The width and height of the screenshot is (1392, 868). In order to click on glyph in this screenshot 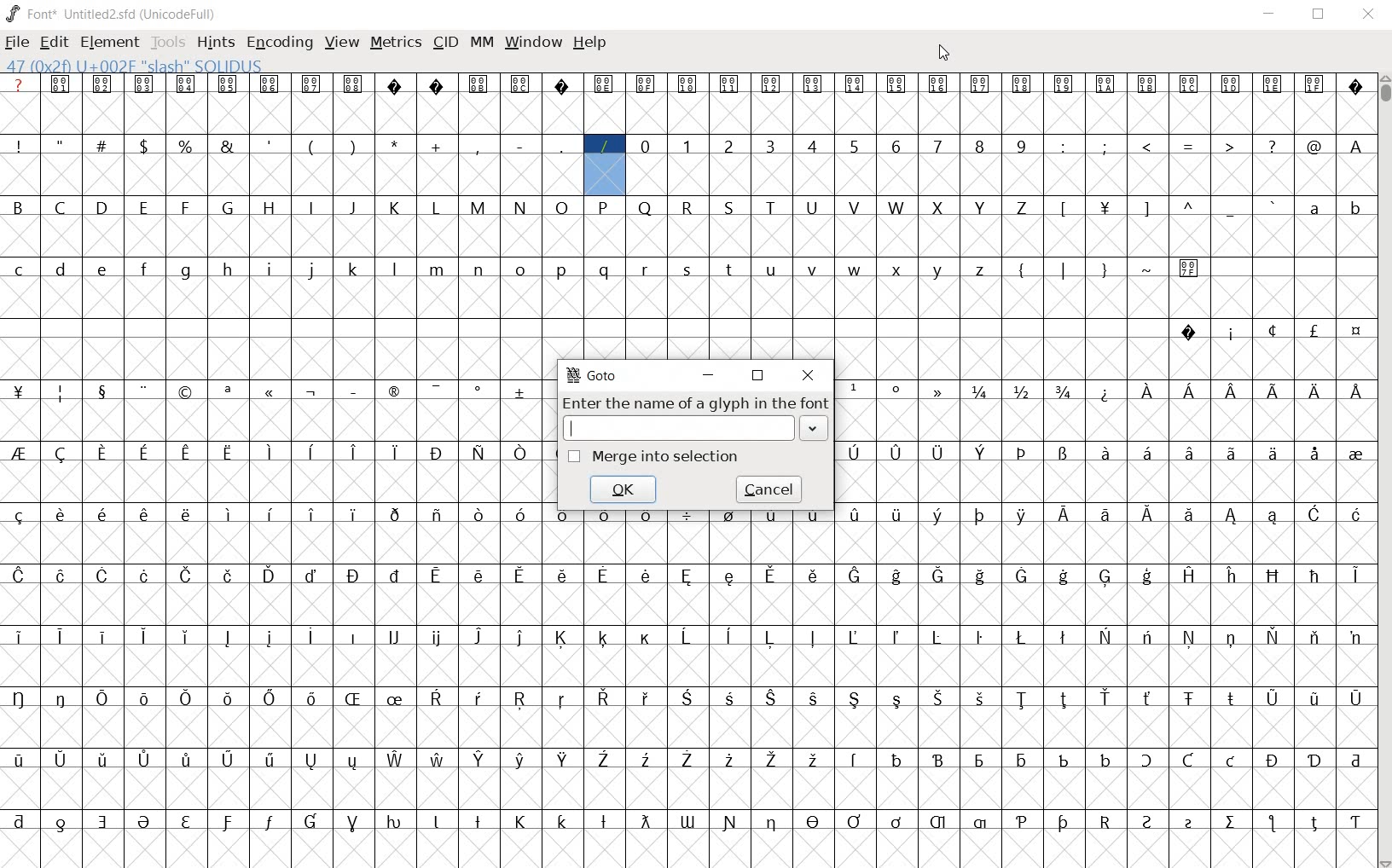, I will do `click(102, 453)`.